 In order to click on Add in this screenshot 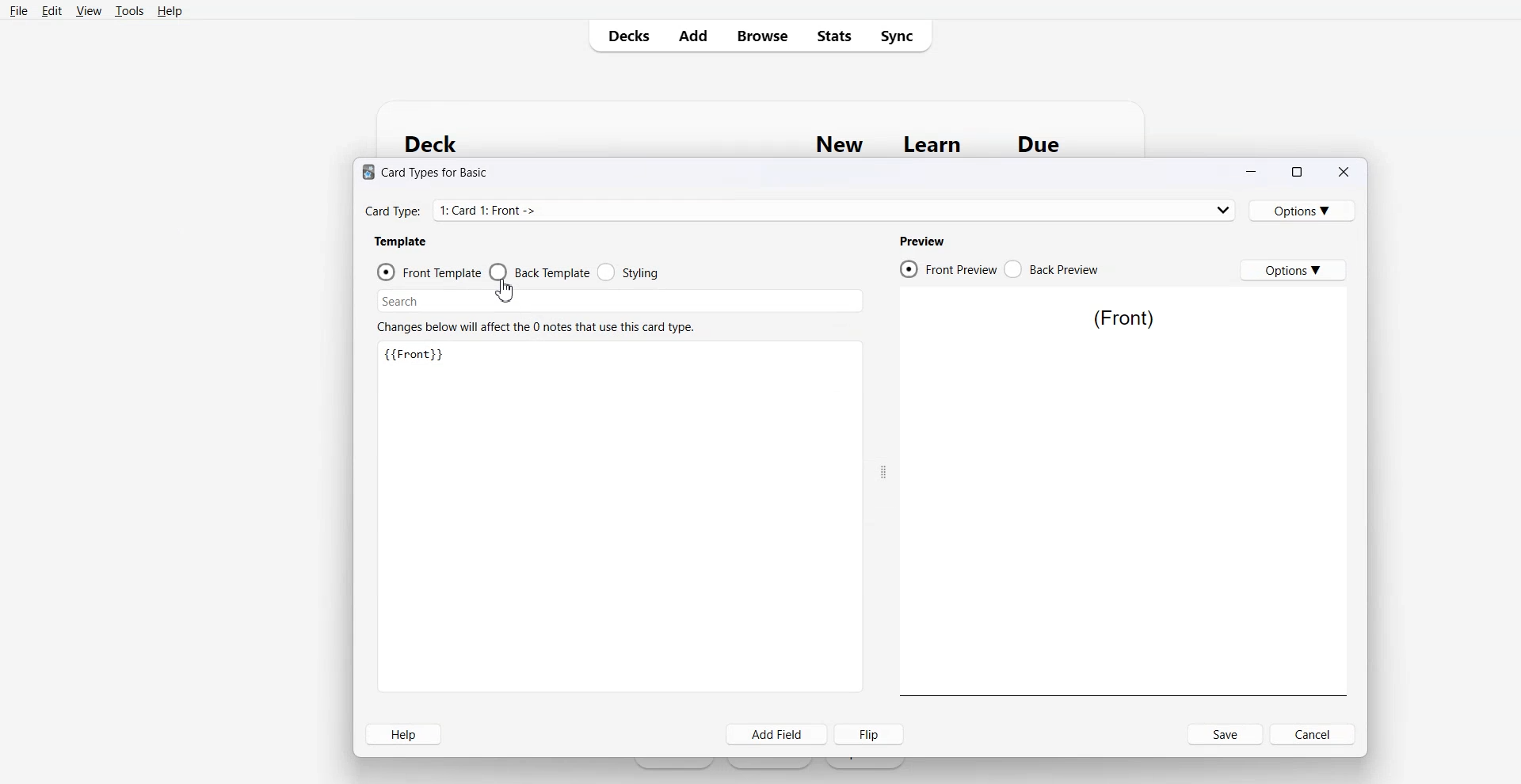, I will do `click(692, 35)`.